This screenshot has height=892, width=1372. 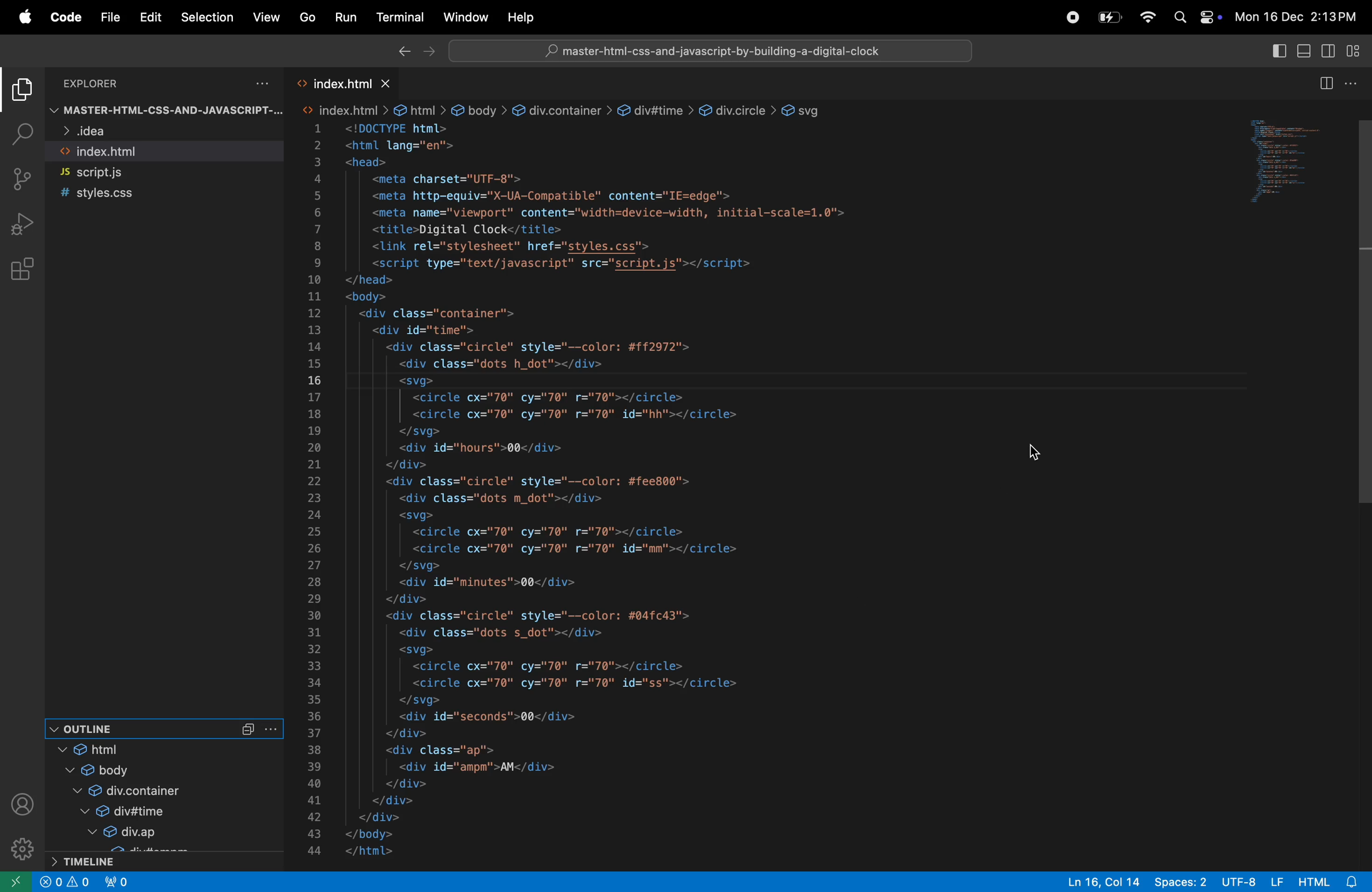 What do you see at coordinates (18, 16) in the screenshot?
I see `Apple menu` at bounding box center [18, 16].